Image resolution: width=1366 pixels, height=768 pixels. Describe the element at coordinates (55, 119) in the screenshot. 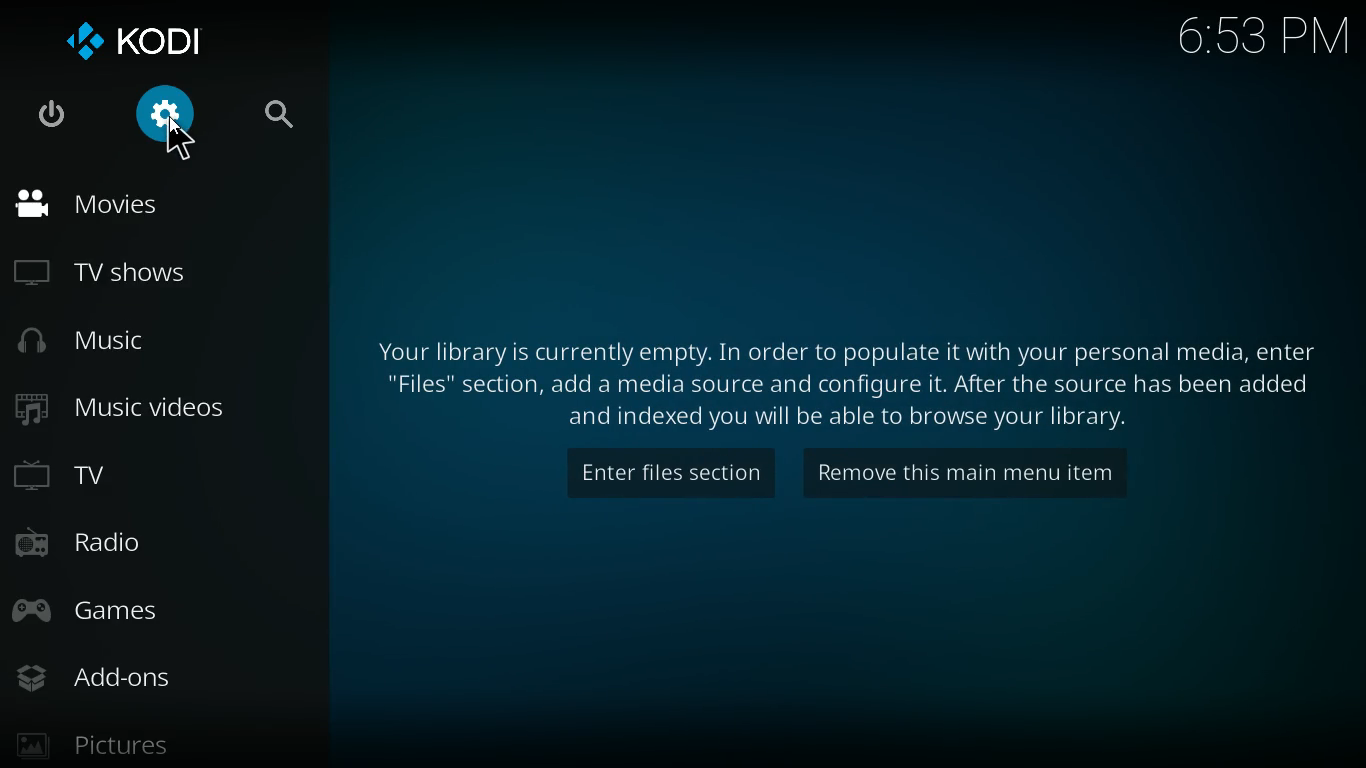

I see `power` at that location.